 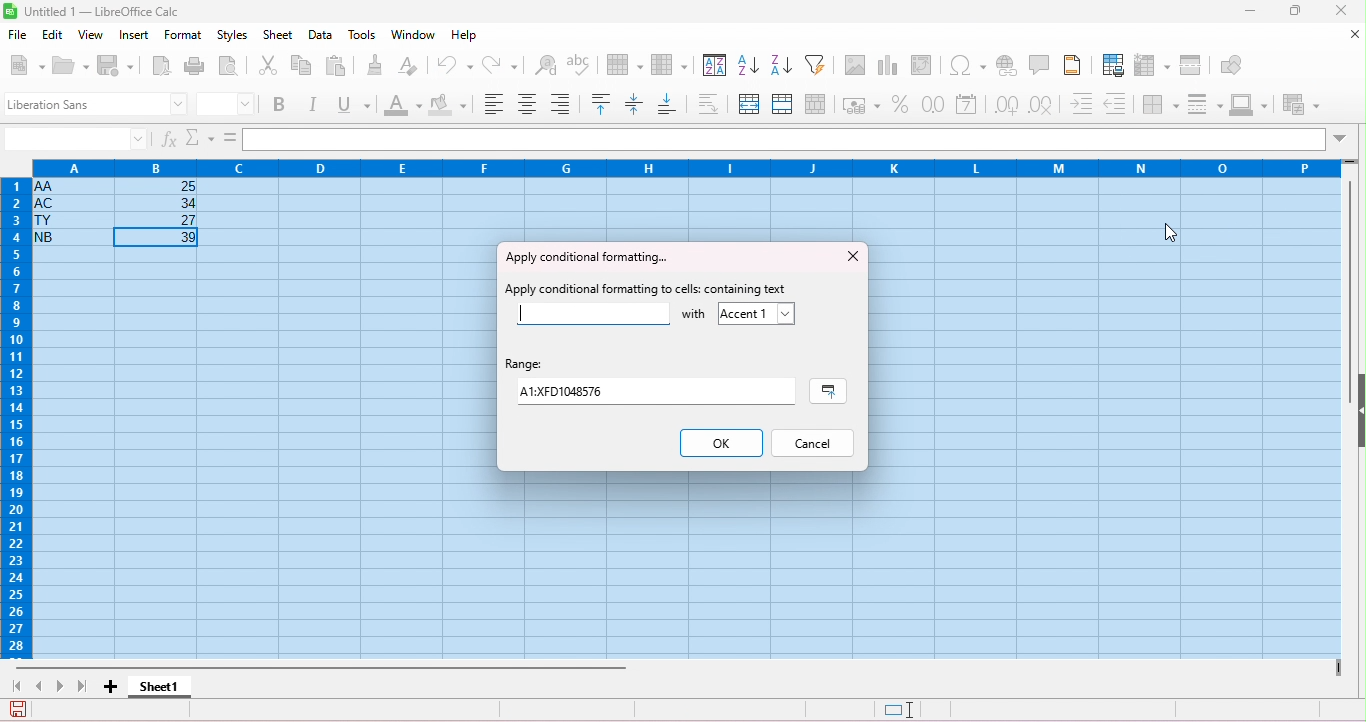 I want to click on standard selection, so click(x=899, y=711).